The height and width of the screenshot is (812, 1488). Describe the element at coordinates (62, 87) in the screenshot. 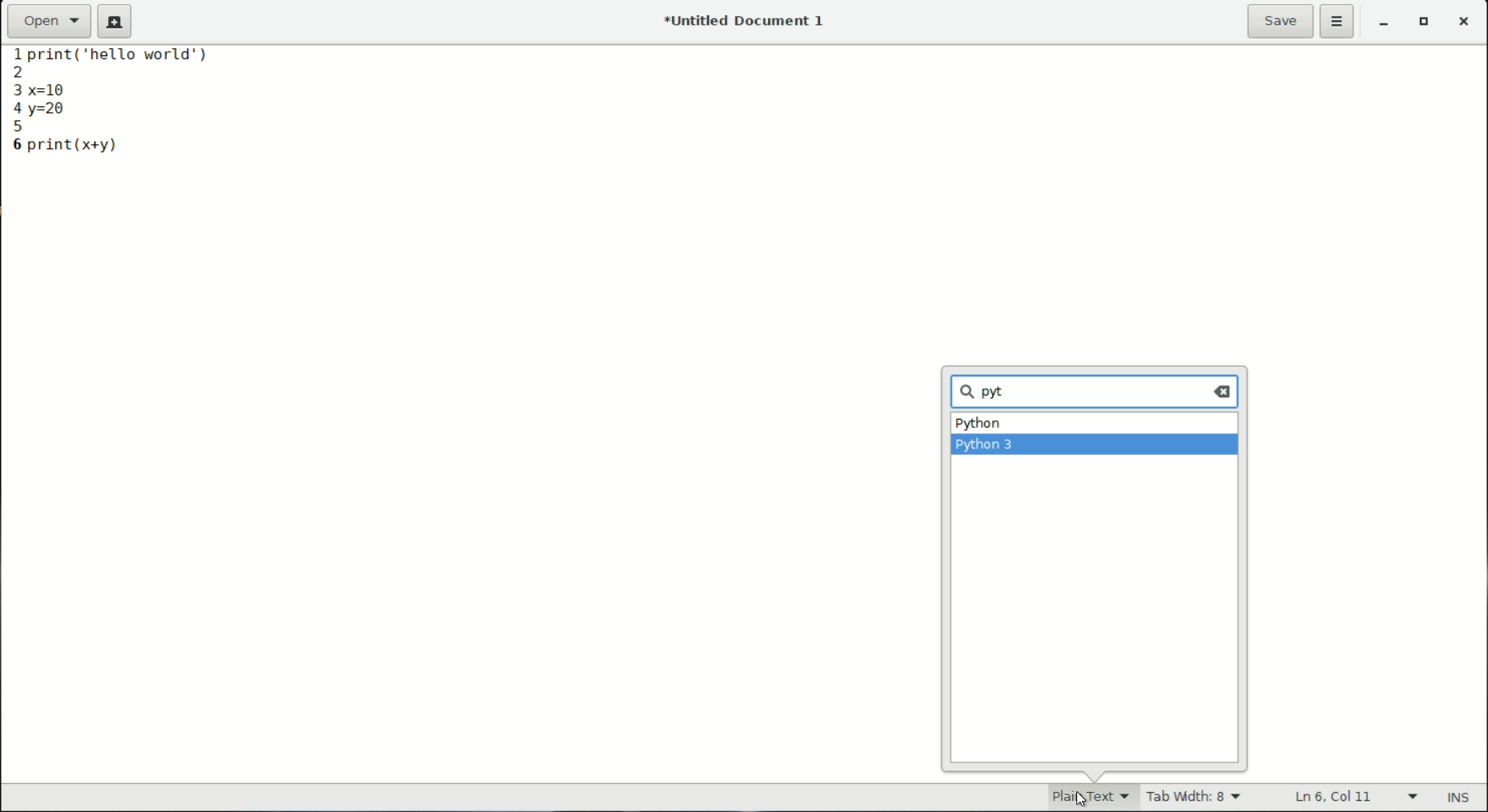

I see `x equation` at that location.